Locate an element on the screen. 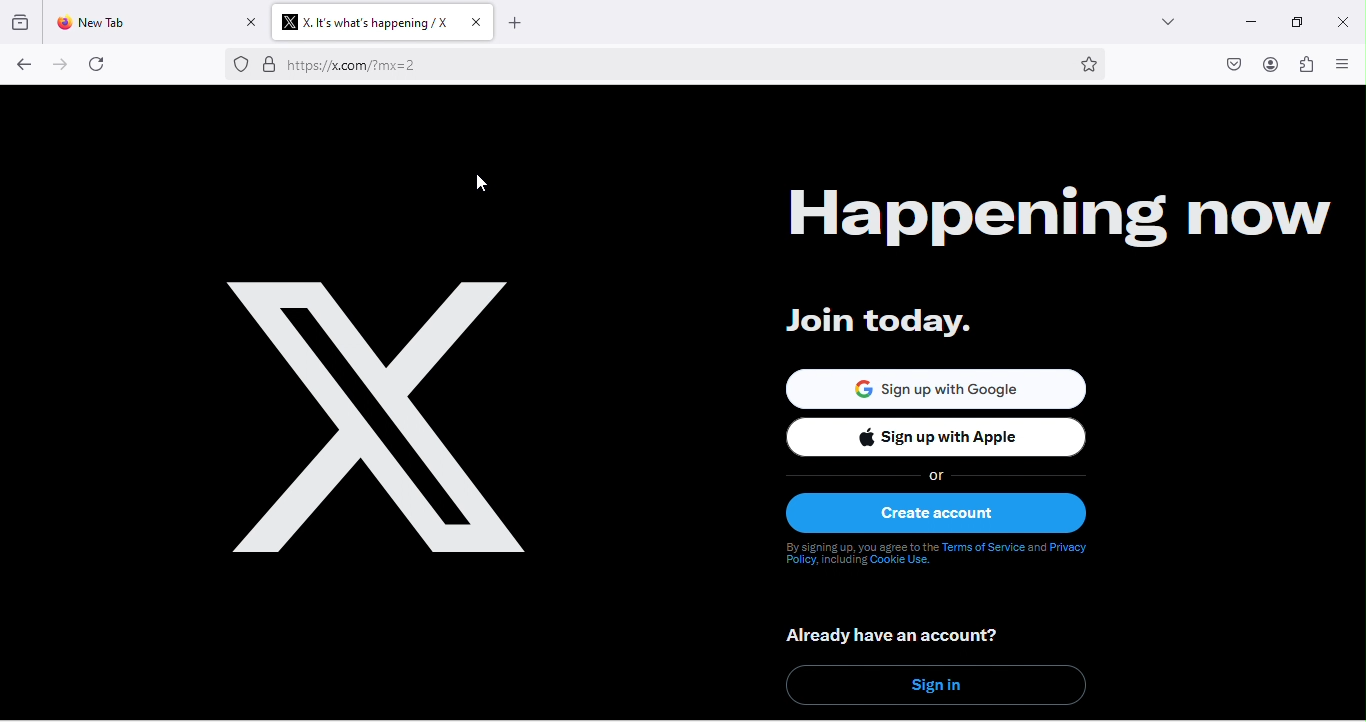 Image resolution: width=1366 pixels, height=722 pixels. new tab is located at coordinates (153, 22).